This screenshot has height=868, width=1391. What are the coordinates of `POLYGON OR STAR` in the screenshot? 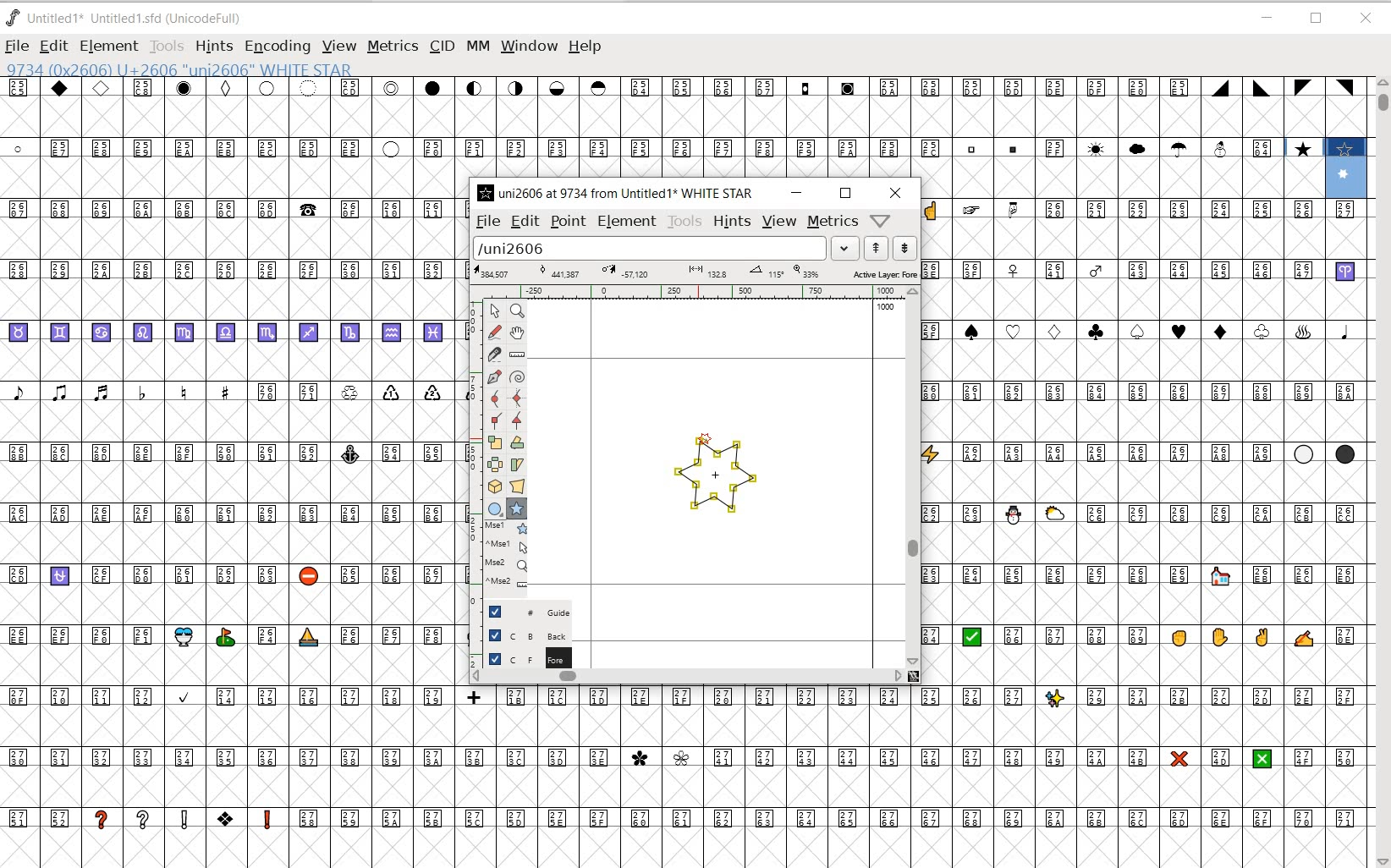 It's located at (516, 509).